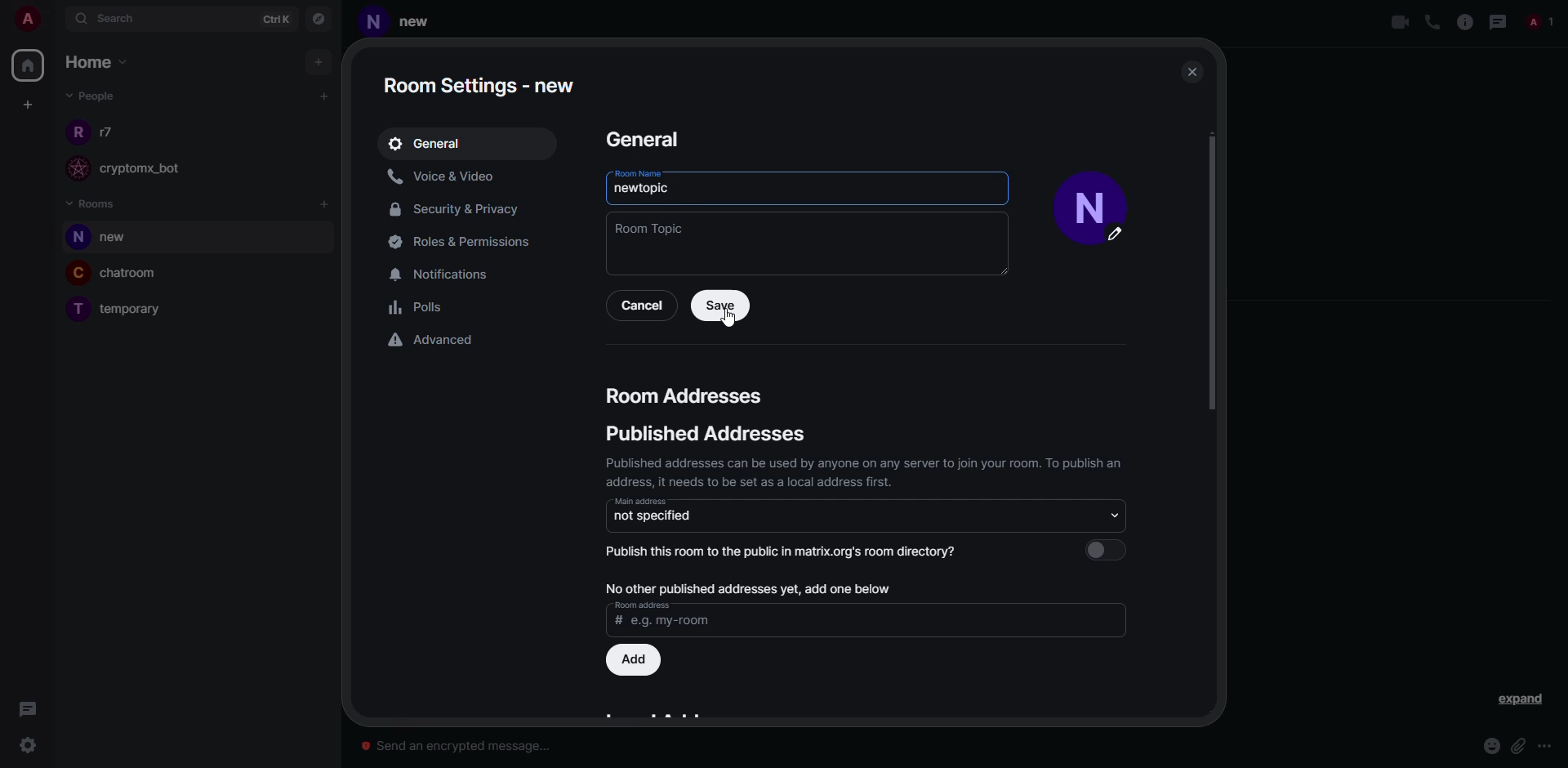 The width and height of the screenshot is (1568, 768). What do you see at coordinates (31, 63) in the screenshot?
I see `home` at bounding box center [31, 63].